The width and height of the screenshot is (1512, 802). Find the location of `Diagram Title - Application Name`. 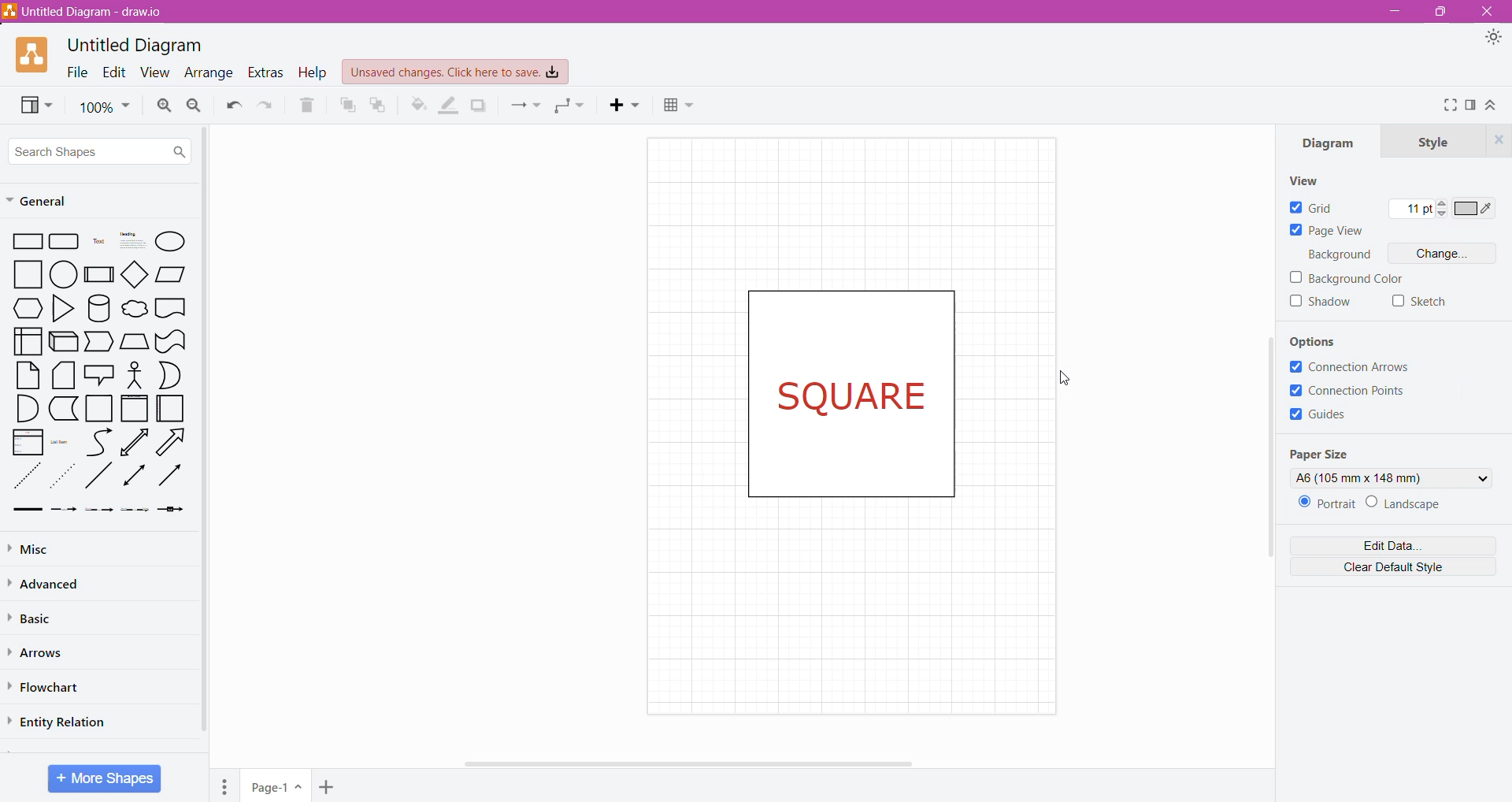

Diagram Title - Application Name is located at coordinates (91, 12).